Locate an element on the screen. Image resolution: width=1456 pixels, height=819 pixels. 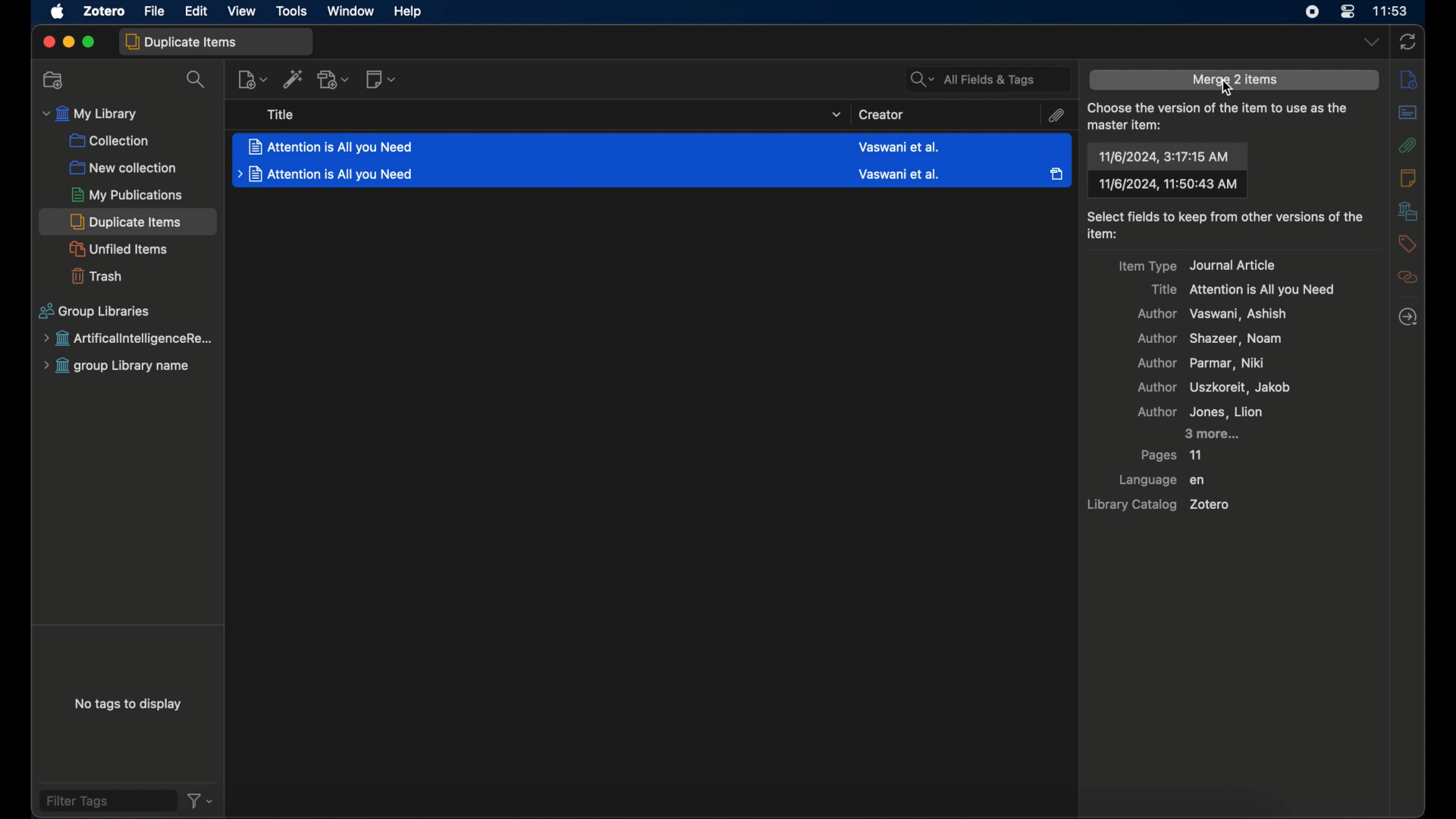
author shazeer, noam is located at coordinates (1214, 338).